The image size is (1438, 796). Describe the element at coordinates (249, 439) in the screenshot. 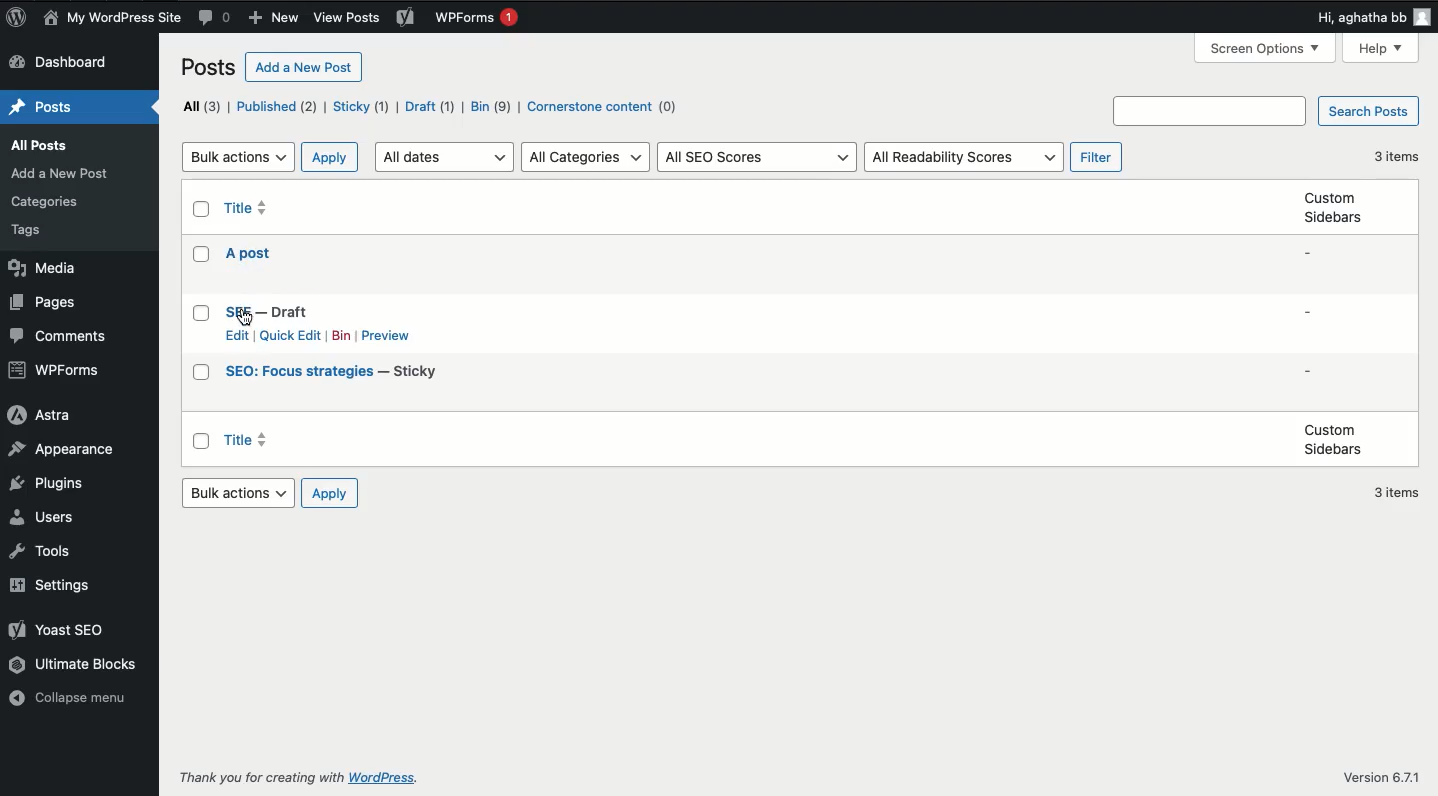

I see `Title` at that location.